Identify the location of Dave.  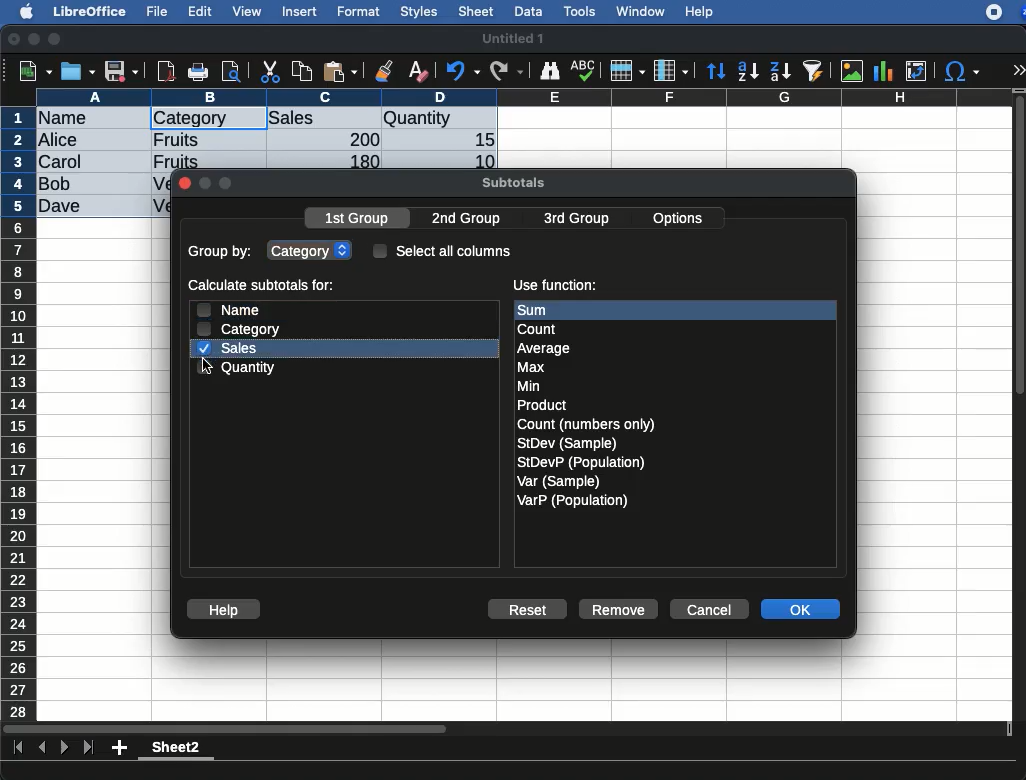
(64, 207).